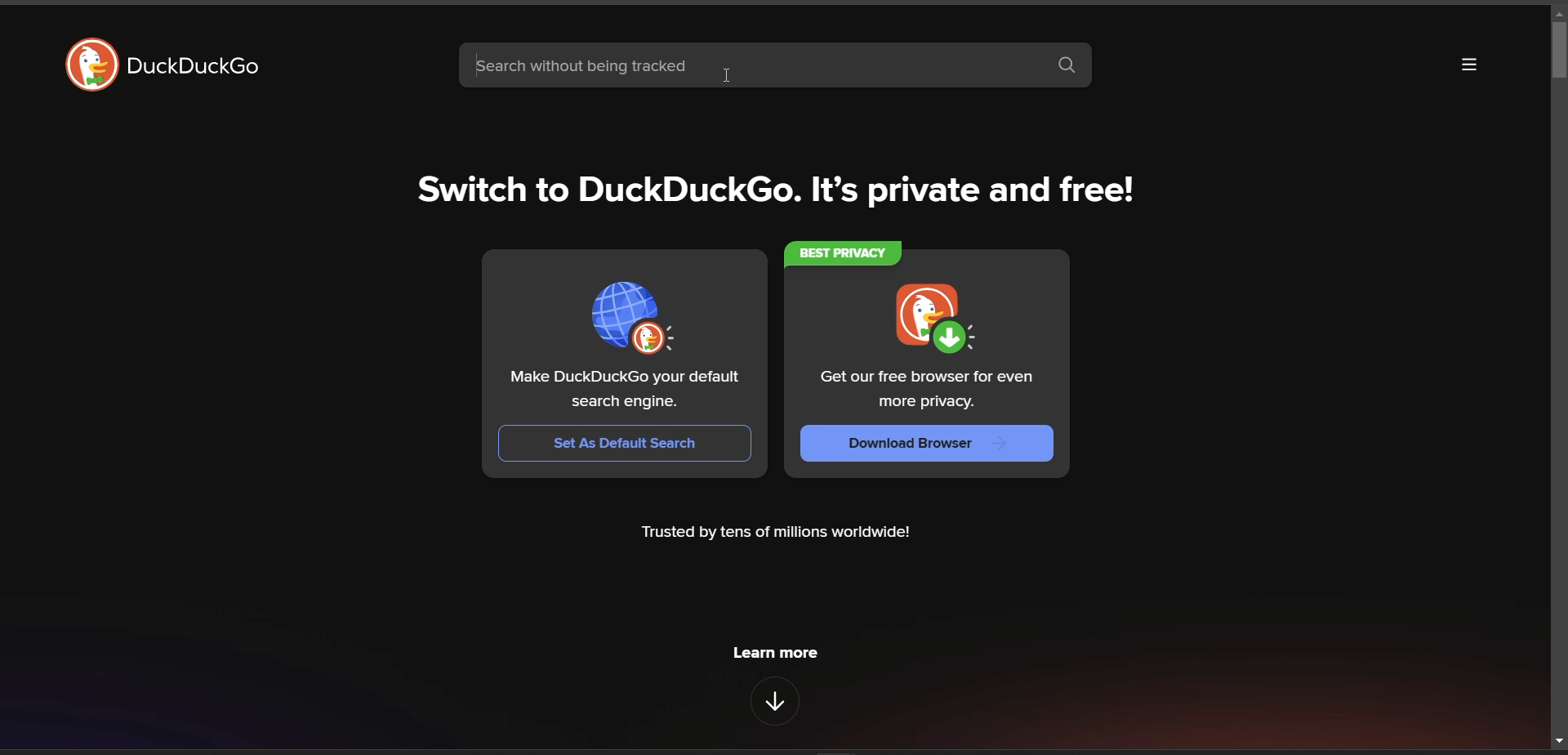  What do you see at coordinates (1067, 66) in the screenshot?
I see `search button` at bounding box center [1067, 66].